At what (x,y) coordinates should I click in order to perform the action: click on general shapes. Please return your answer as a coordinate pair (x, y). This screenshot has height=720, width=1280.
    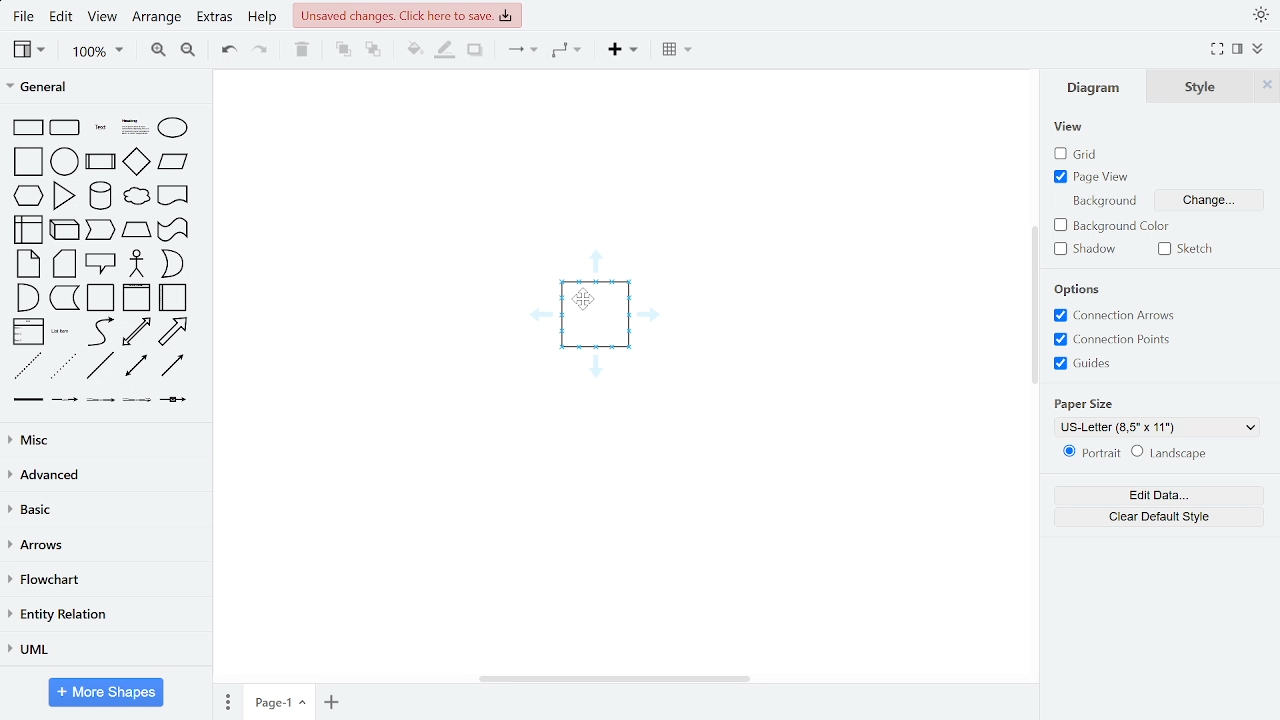
    Looking at the image, I should click on (133, 230).